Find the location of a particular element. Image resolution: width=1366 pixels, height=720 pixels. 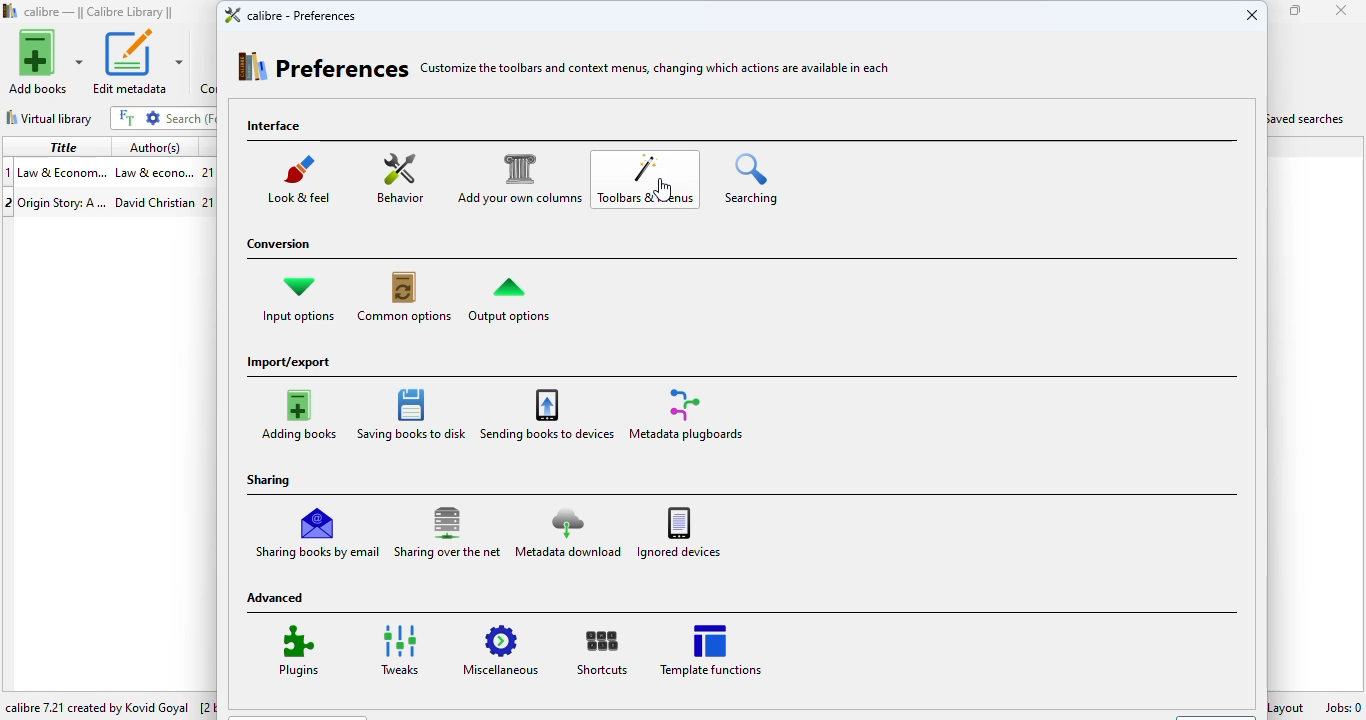

metadata download is located at coordinates (568, 529).